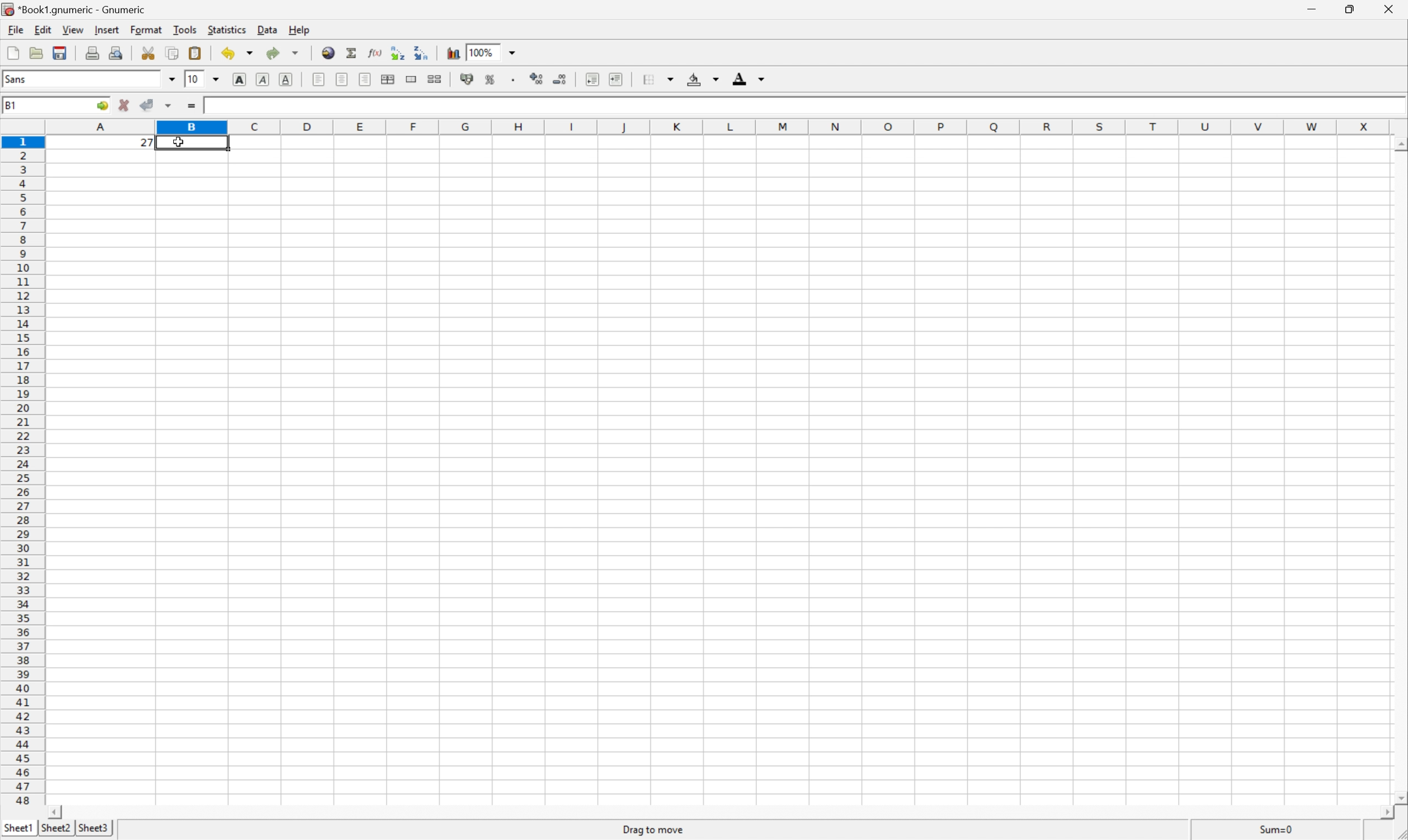 Image resolution: width=1408 pixels, height=840 pixels. I want to click on Foreground, so click(748, 77).